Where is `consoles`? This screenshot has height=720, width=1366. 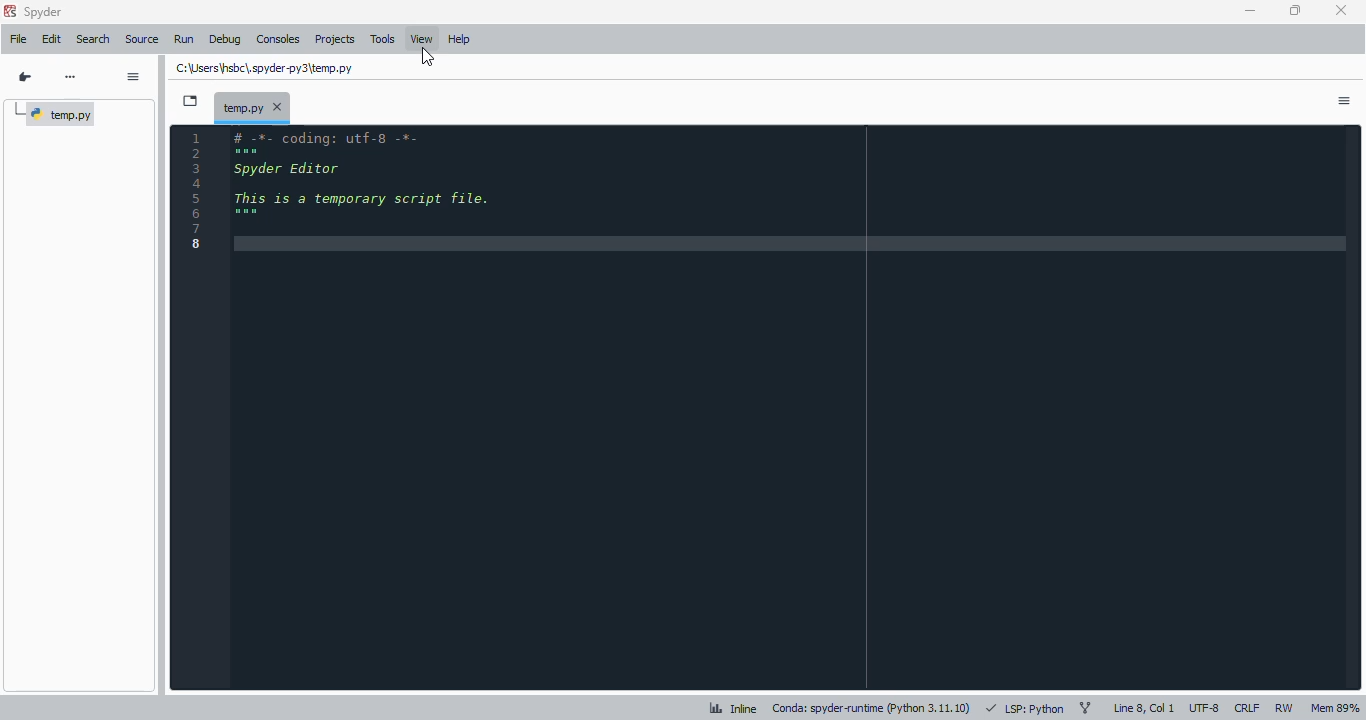 consoles is located at coordinates (279, 40).